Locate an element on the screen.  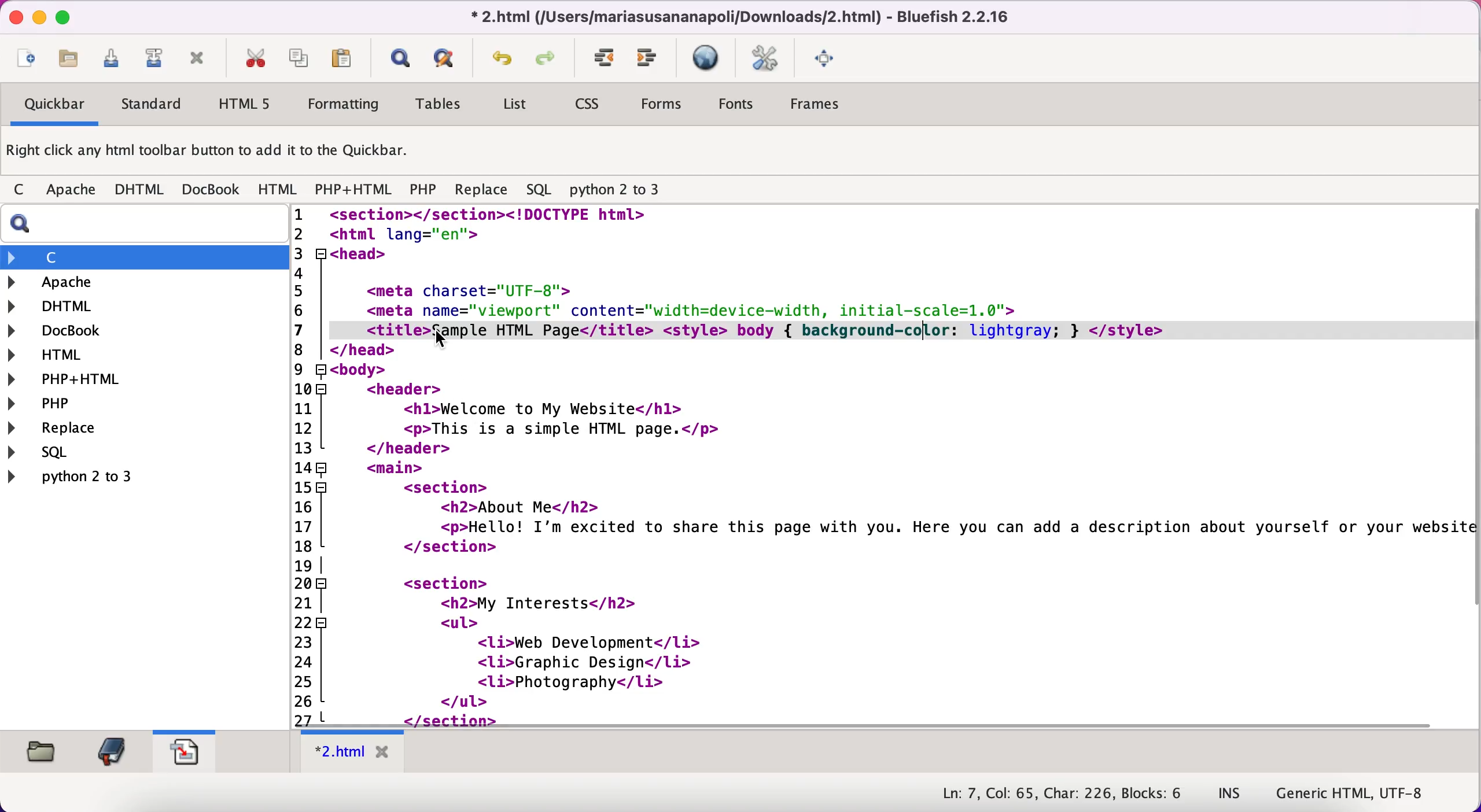
* 2.html (/Users/mariasusananapoli/Downloads/2.html) - Bluefish 2.2.16 is located at coordinates (736, 16).